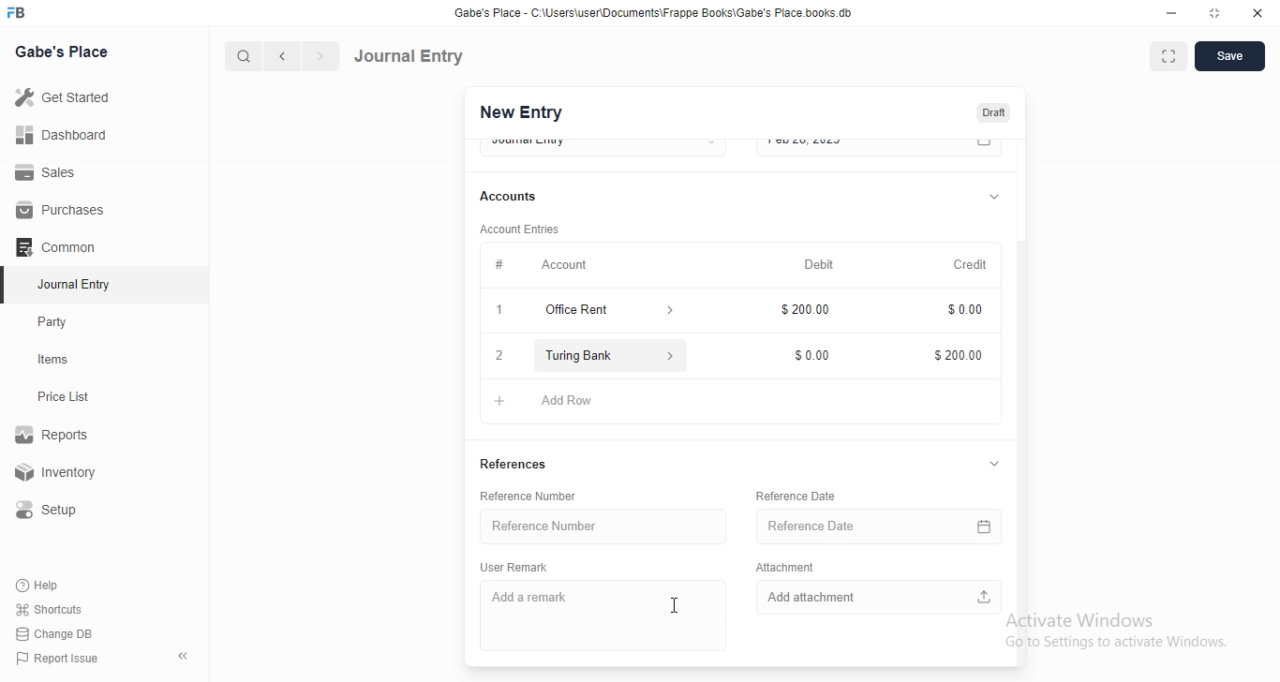  Describe the element at coordinates (500, 264) in the screenshot. I see `` at that location.